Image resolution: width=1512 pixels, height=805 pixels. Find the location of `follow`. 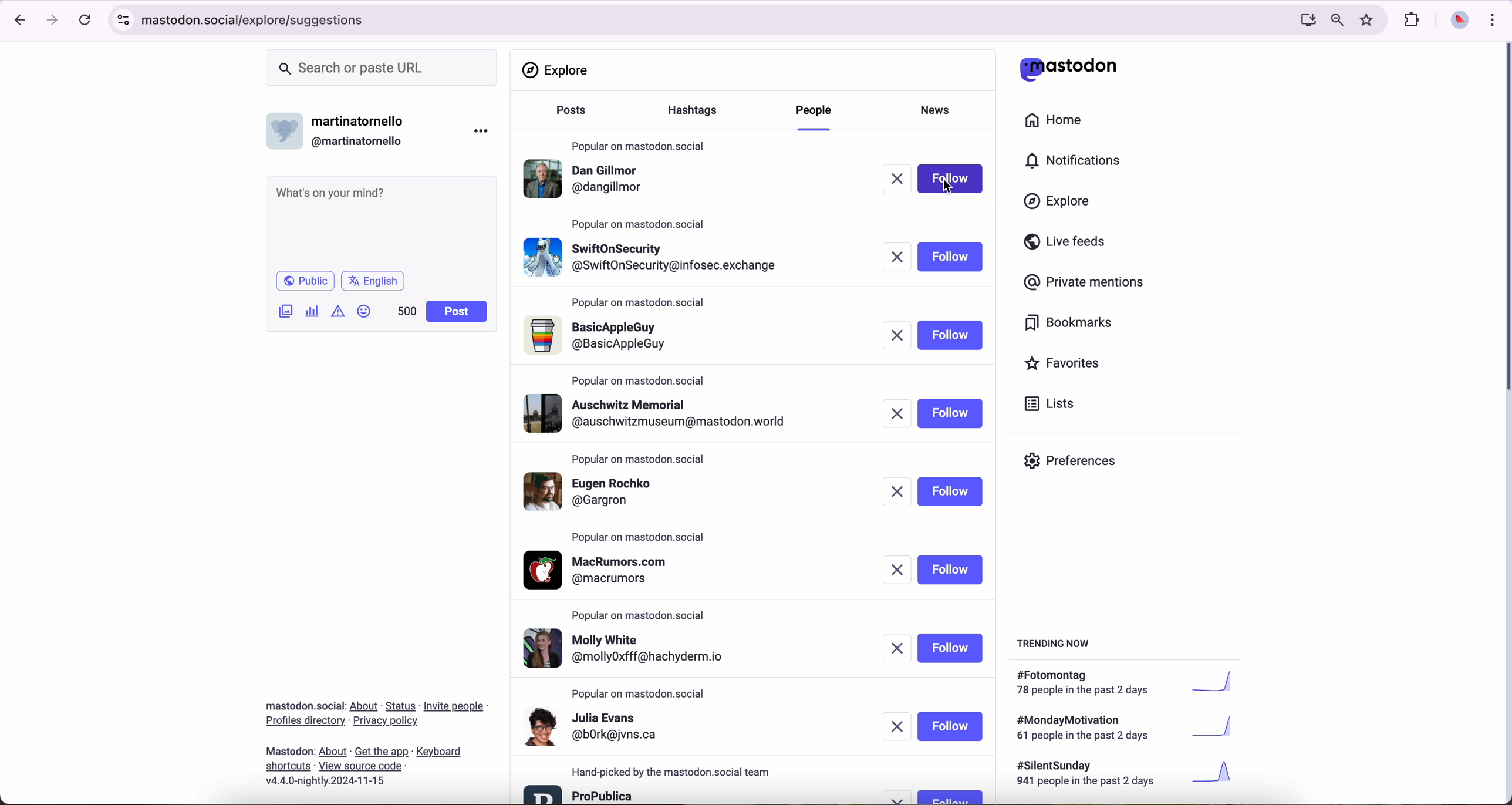

follow is located at coordinates (950, 257).